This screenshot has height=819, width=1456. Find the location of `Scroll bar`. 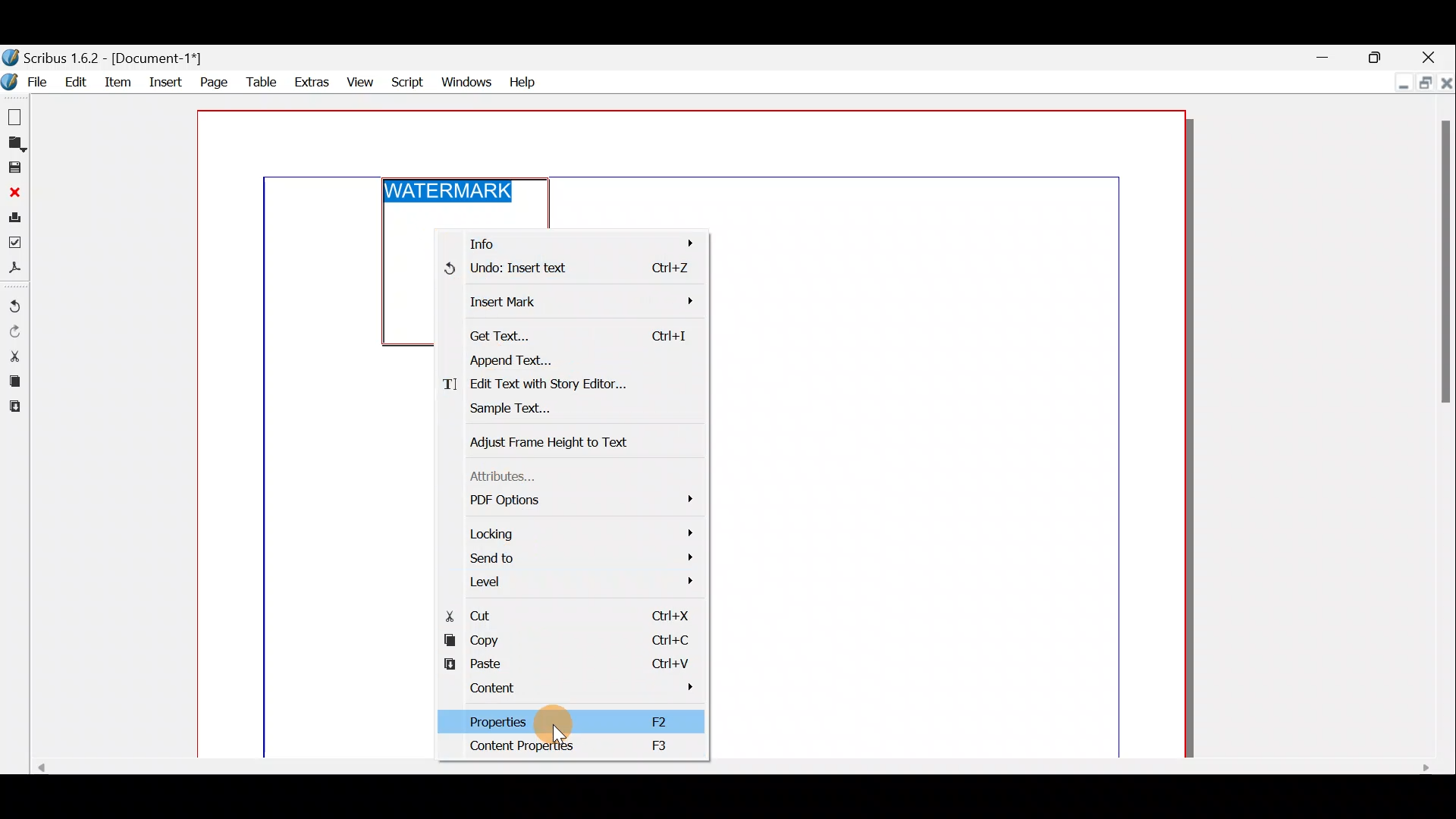

Scroll bar is located at coordinates (724, 769).